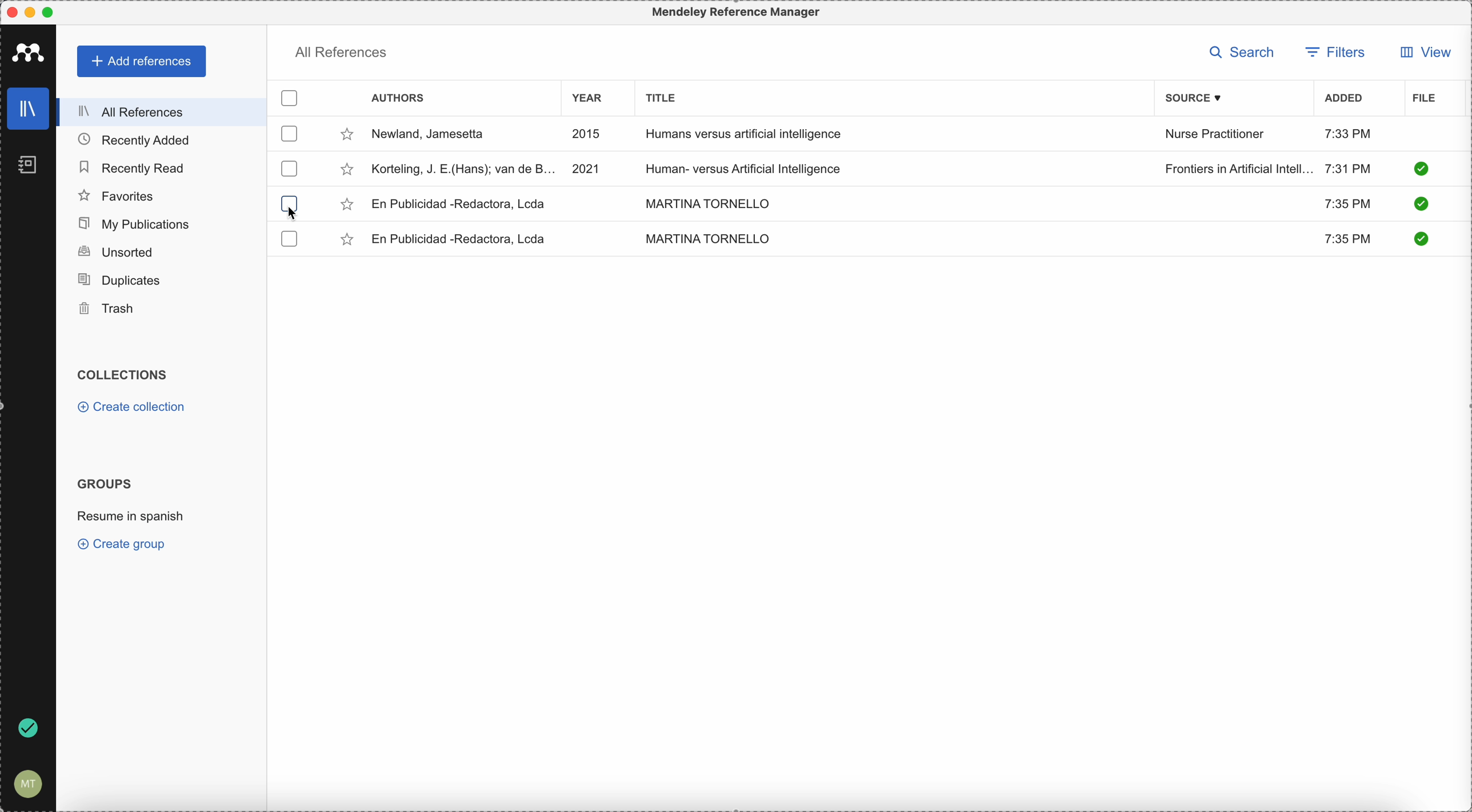 The width and height of the screenshot is (1472, 812). Describe the element at coordinates (1344, 99) in the screenshot. I see `added` at that location.